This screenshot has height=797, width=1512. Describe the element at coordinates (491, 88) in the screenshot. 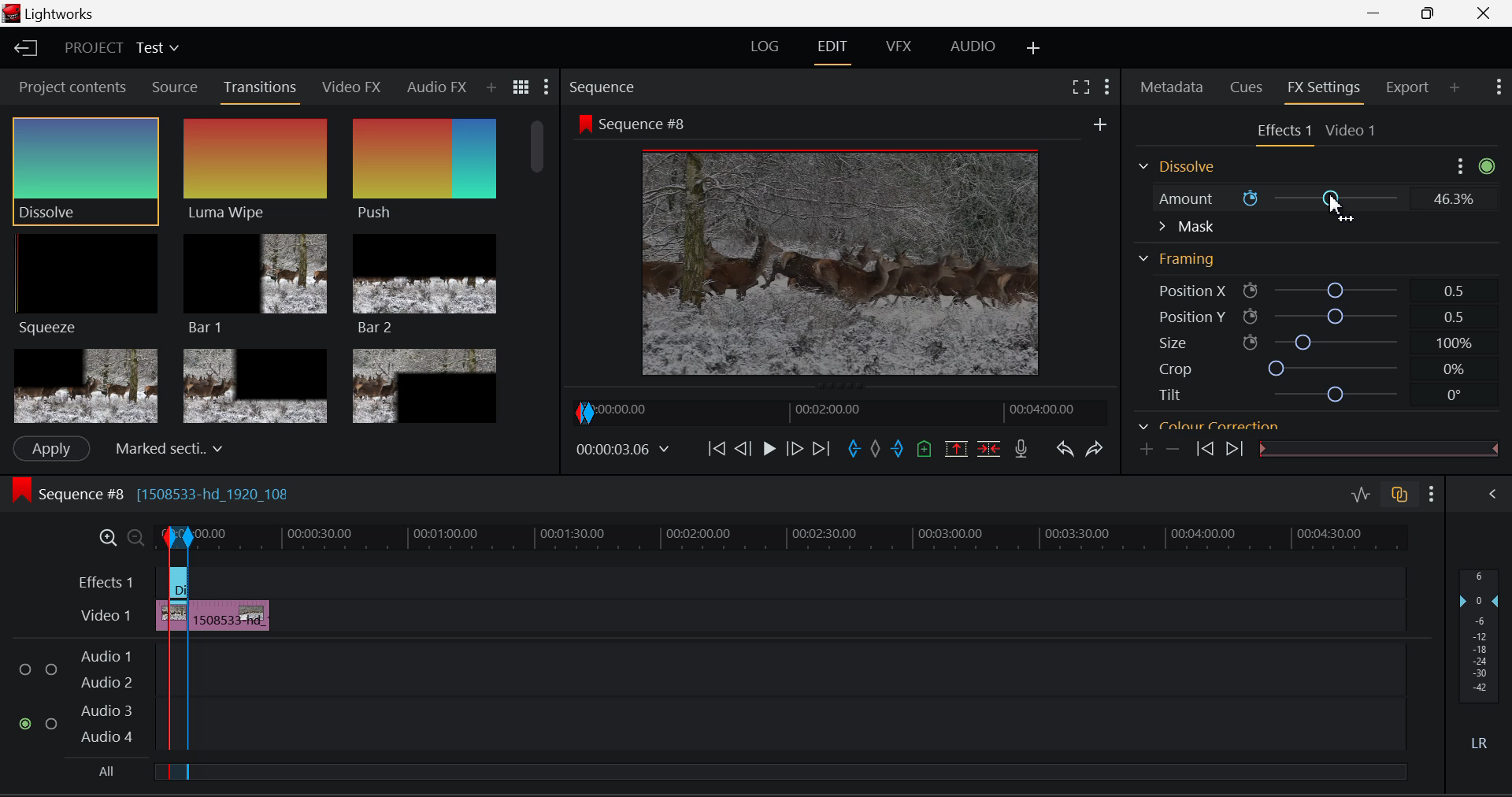

I see `Add Panel` at that location.